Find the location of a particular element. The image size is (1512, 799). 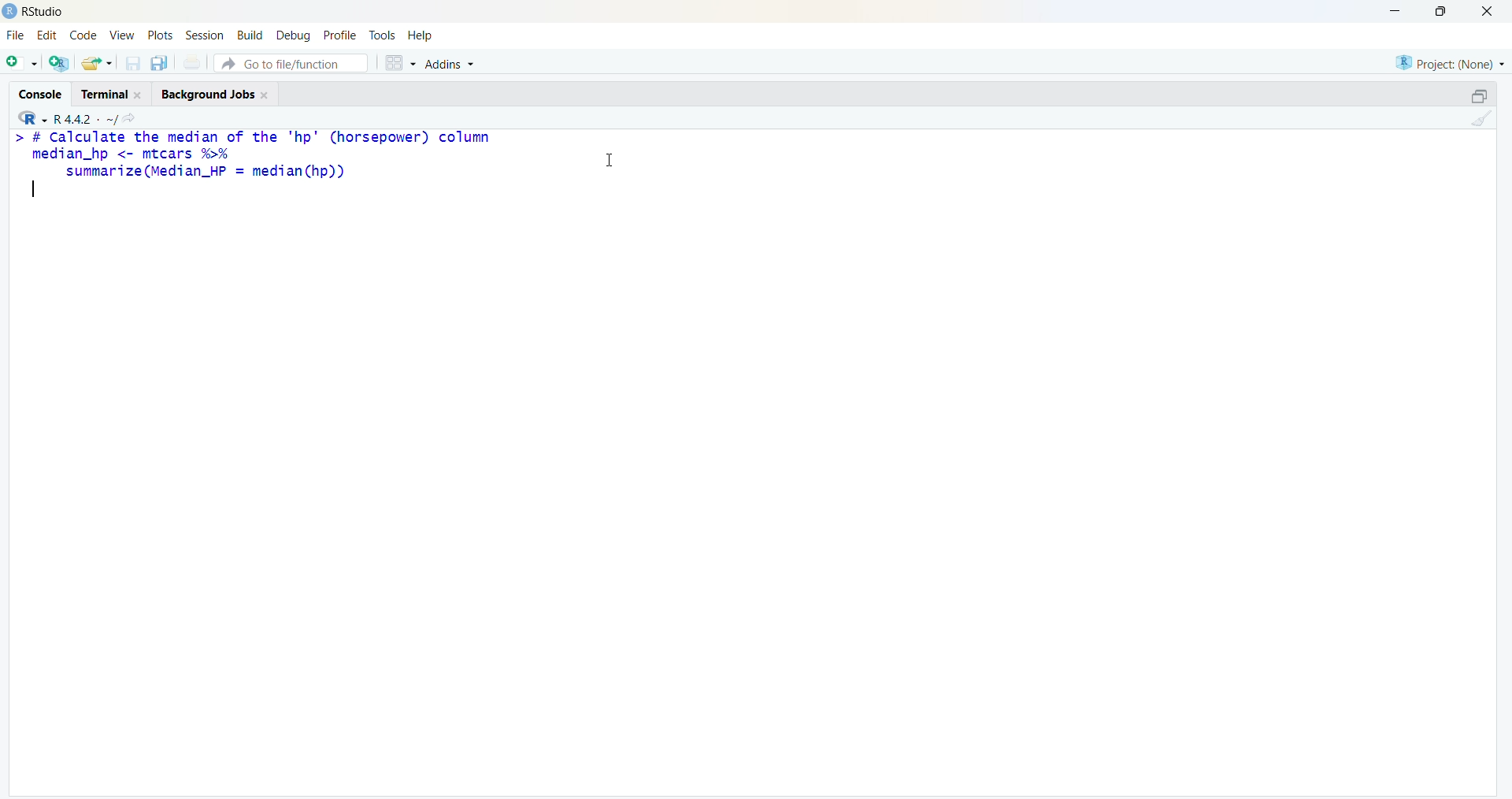

Addins is located at coordinates (450, 63).